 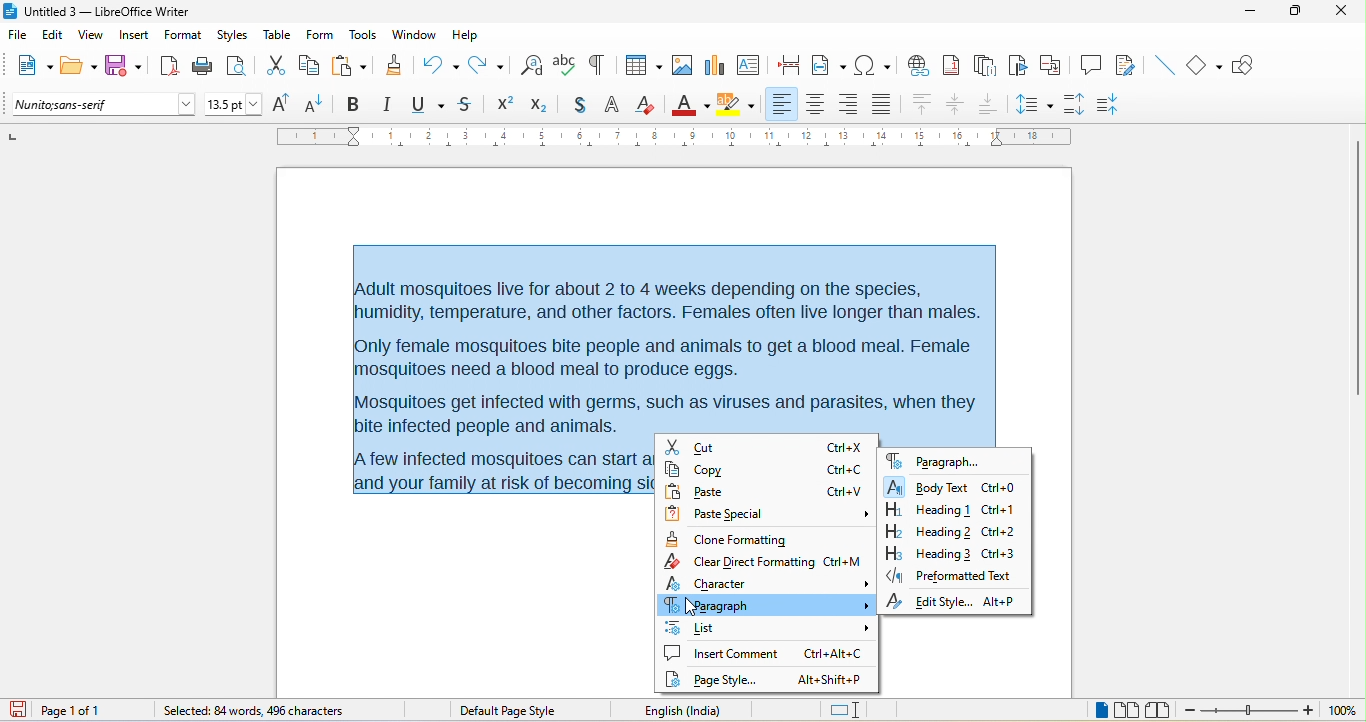 What do you see at coordinates (491, 64) in the screenshot?
I see `redo` at bounding box center [491, 64].